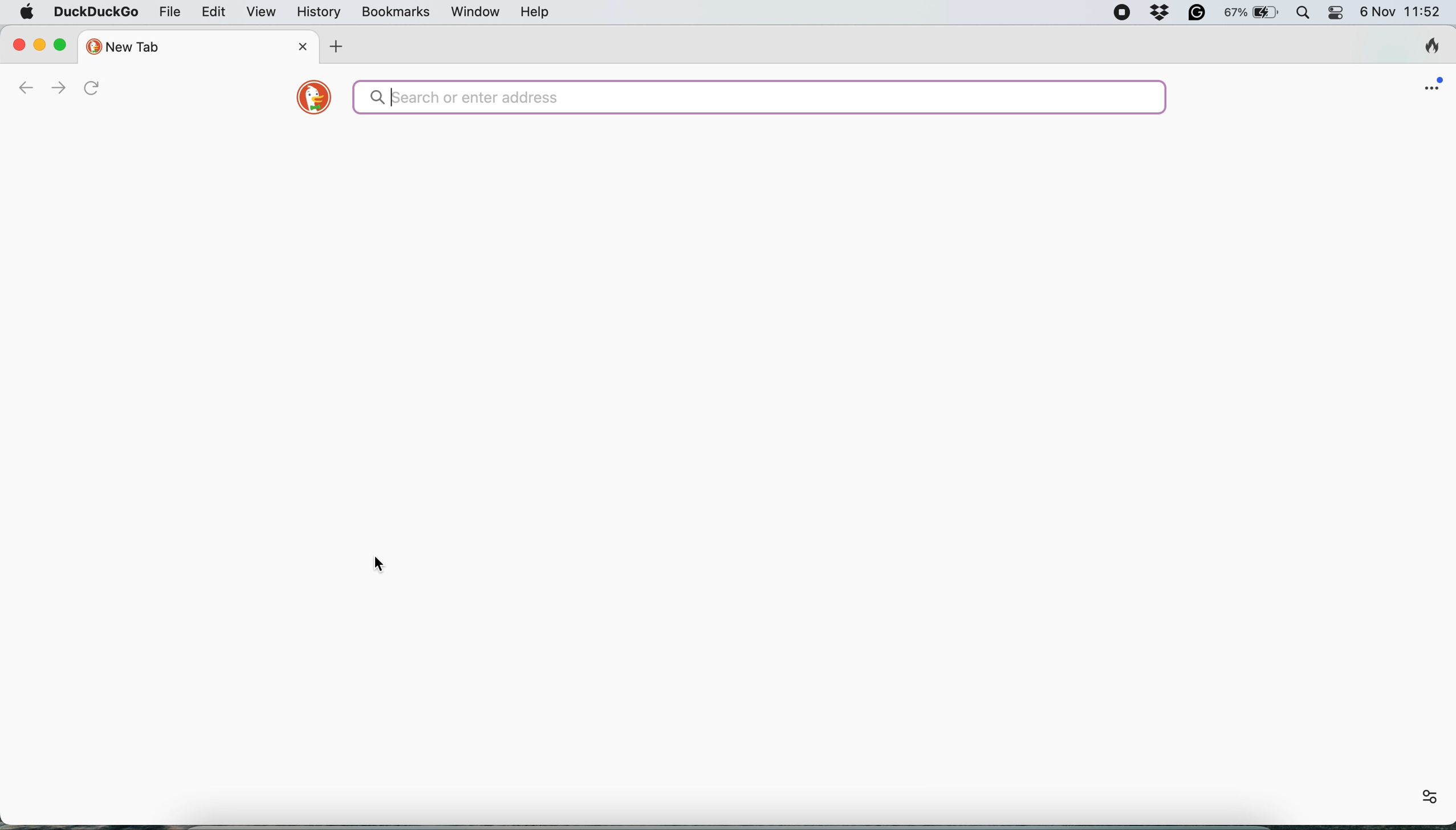 Image resolution: width=1456 pixels, height=830 pixels. What do you see at coordinates (212, 12) in the screenshot?
I see `edit` at bounding box center [212, 12].